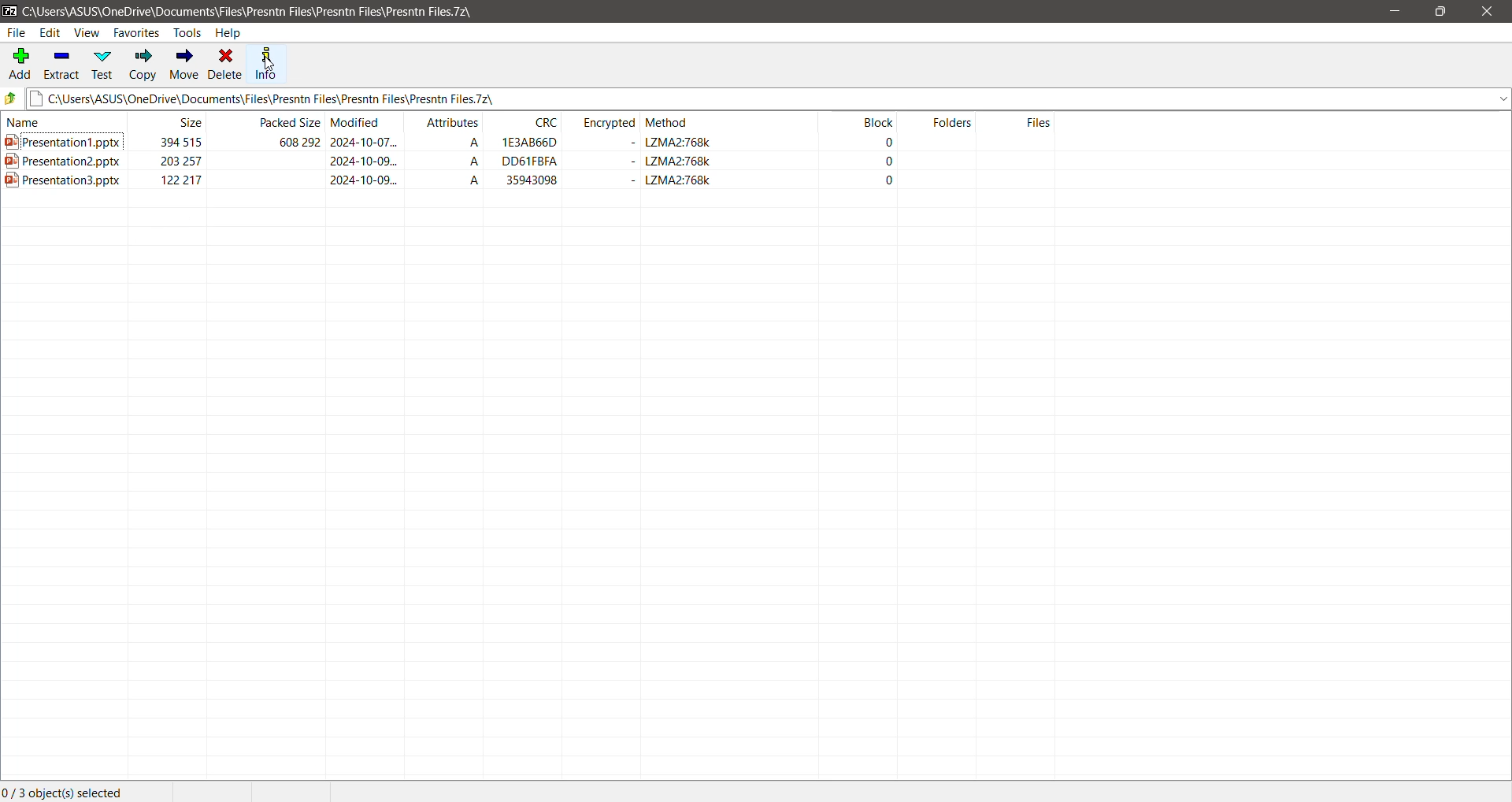 This screenshot has width=1512, height=802. What do you see at coordinates (466, 180) in the screenshot?
I see `A` at bounding box center [466, 180].